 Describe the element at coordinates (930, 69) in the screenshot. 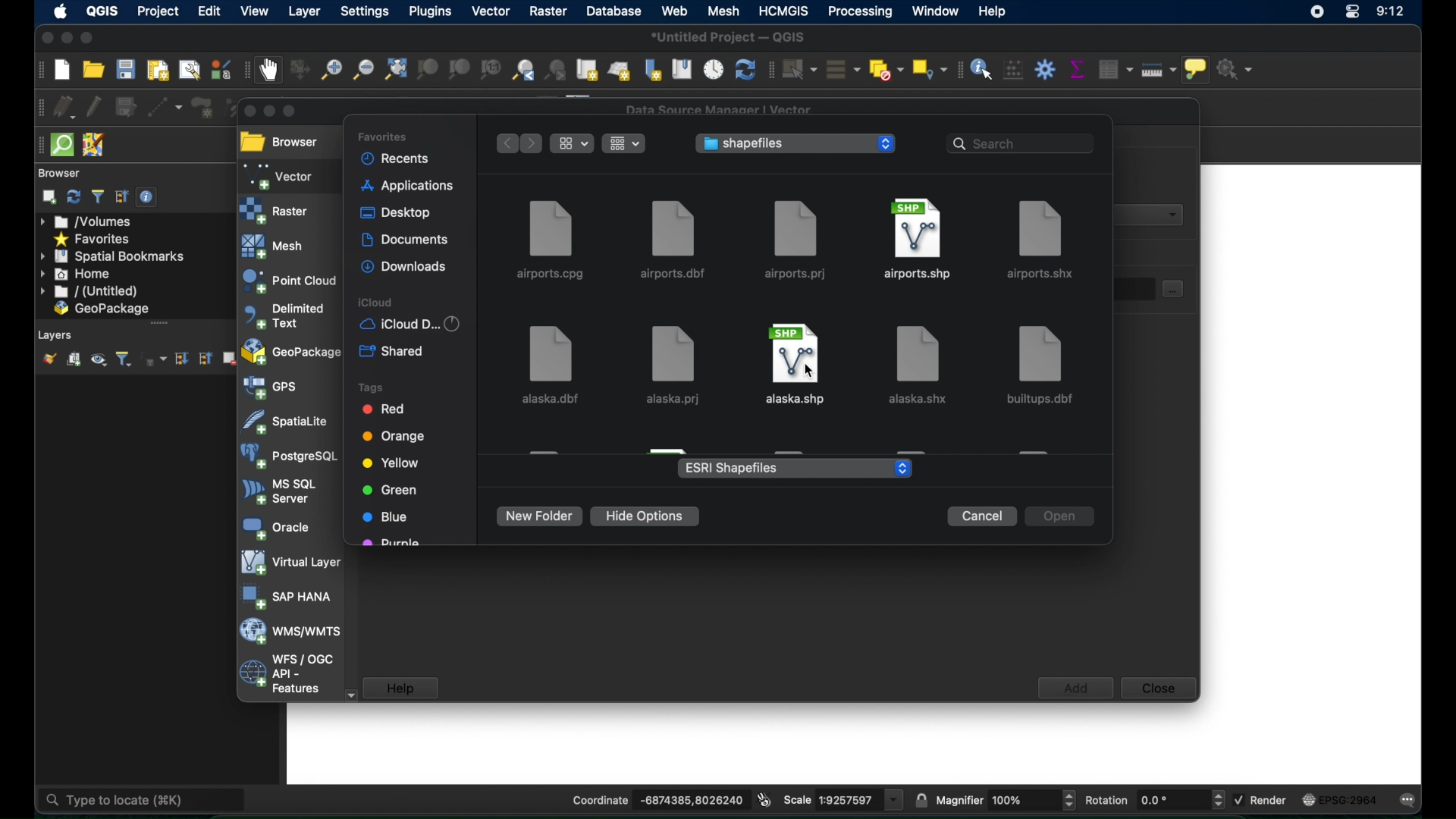

I see `select by location` at that location.